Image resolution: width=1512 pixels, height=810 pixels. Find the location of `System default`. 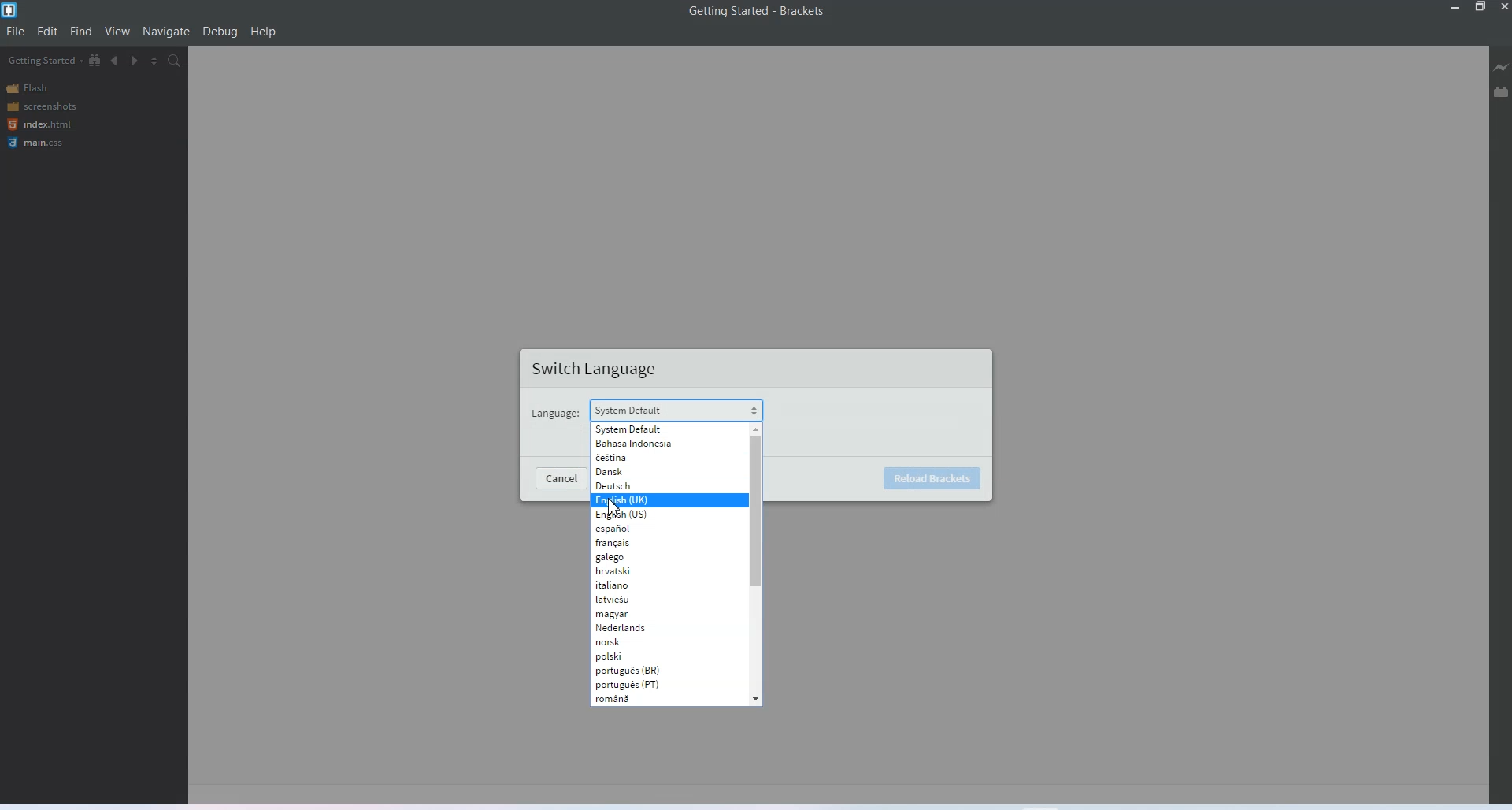

System default is located at coordinates (661, 429).